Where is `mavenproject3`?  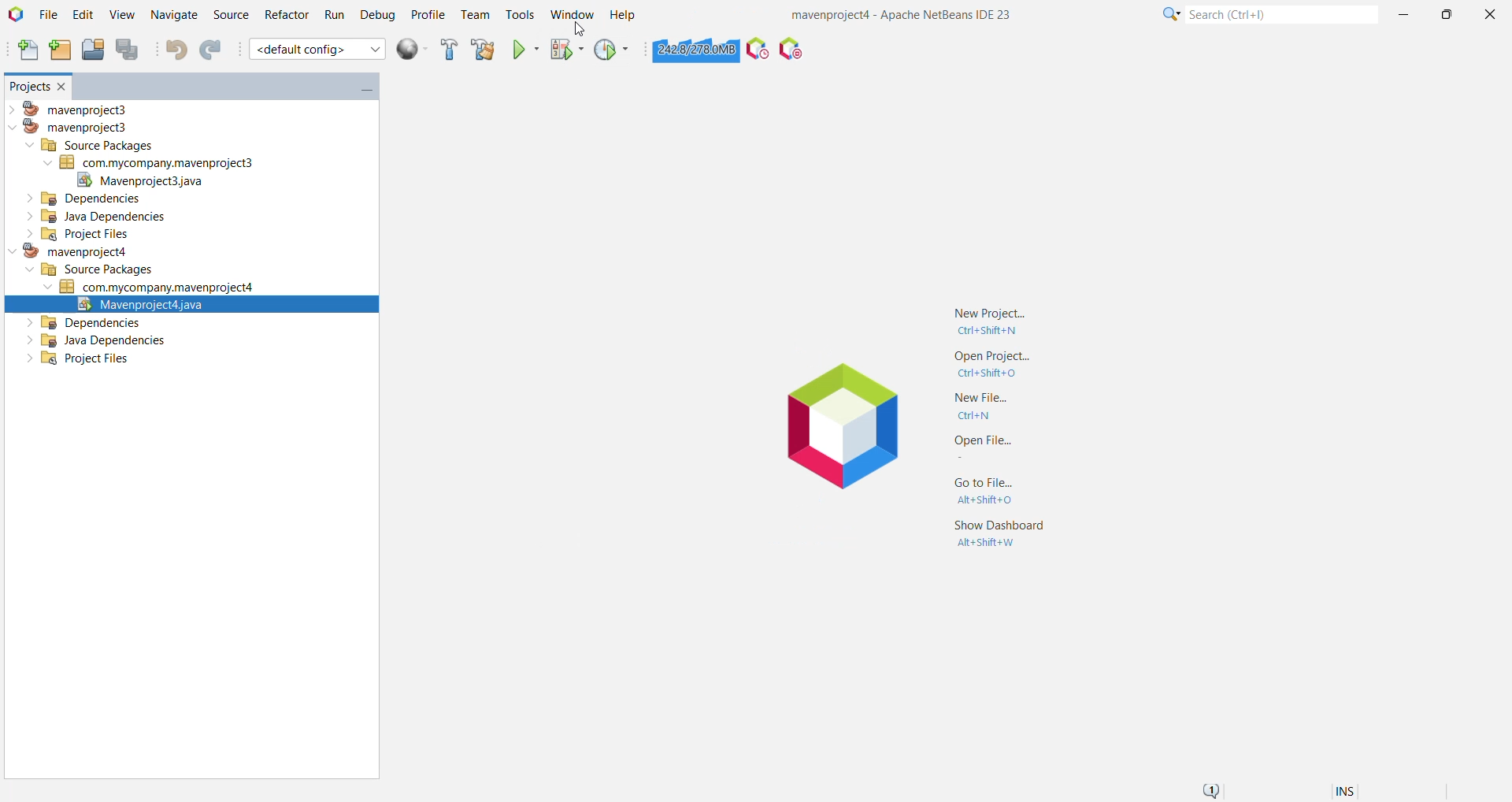 mavenproject3 is located at coordinates (72, 128).